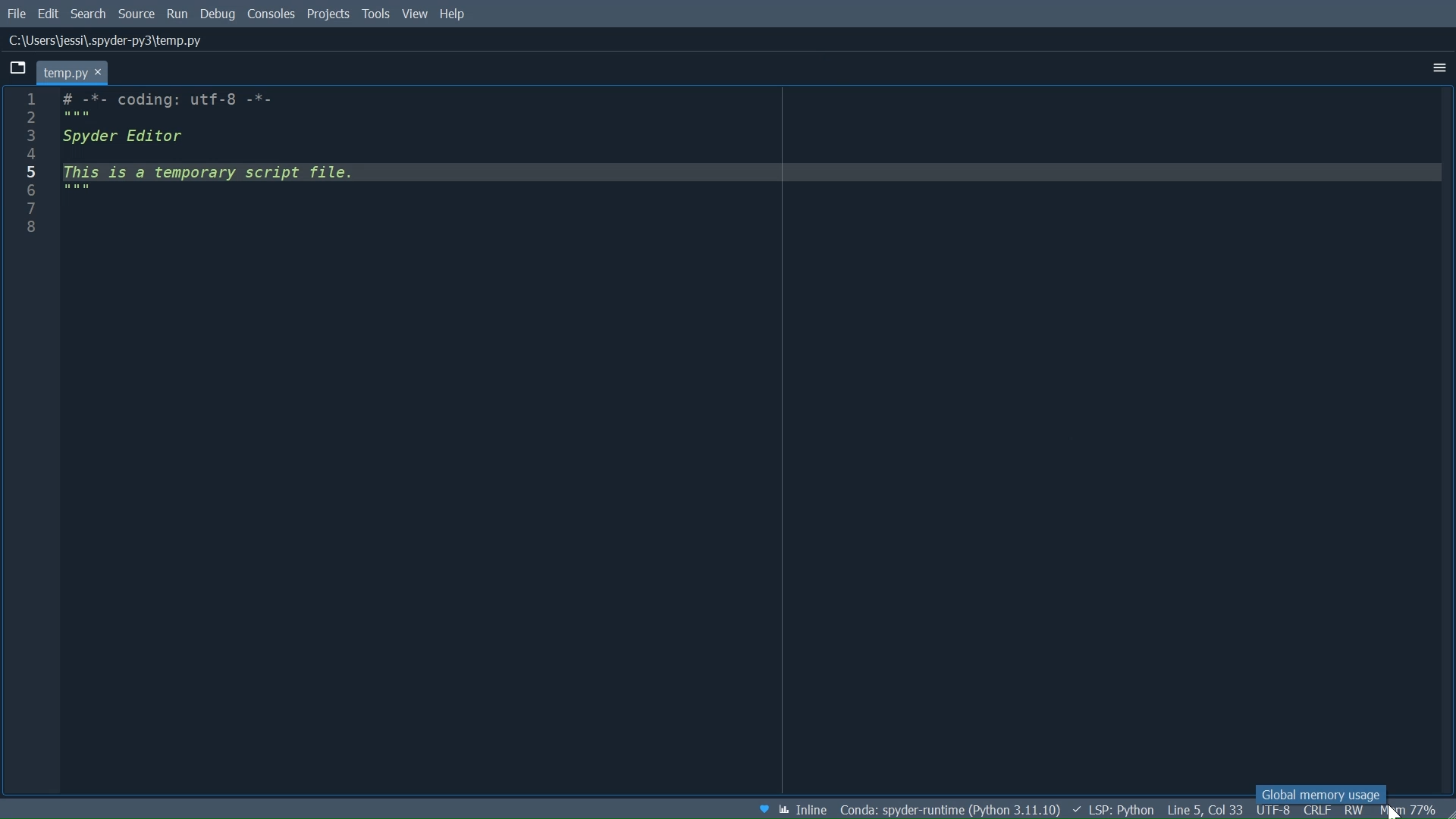 This screenshot has height=819, width=1456. Describe the element at coordinates (89, 14) in the screenshot. I see `Search` at that location.